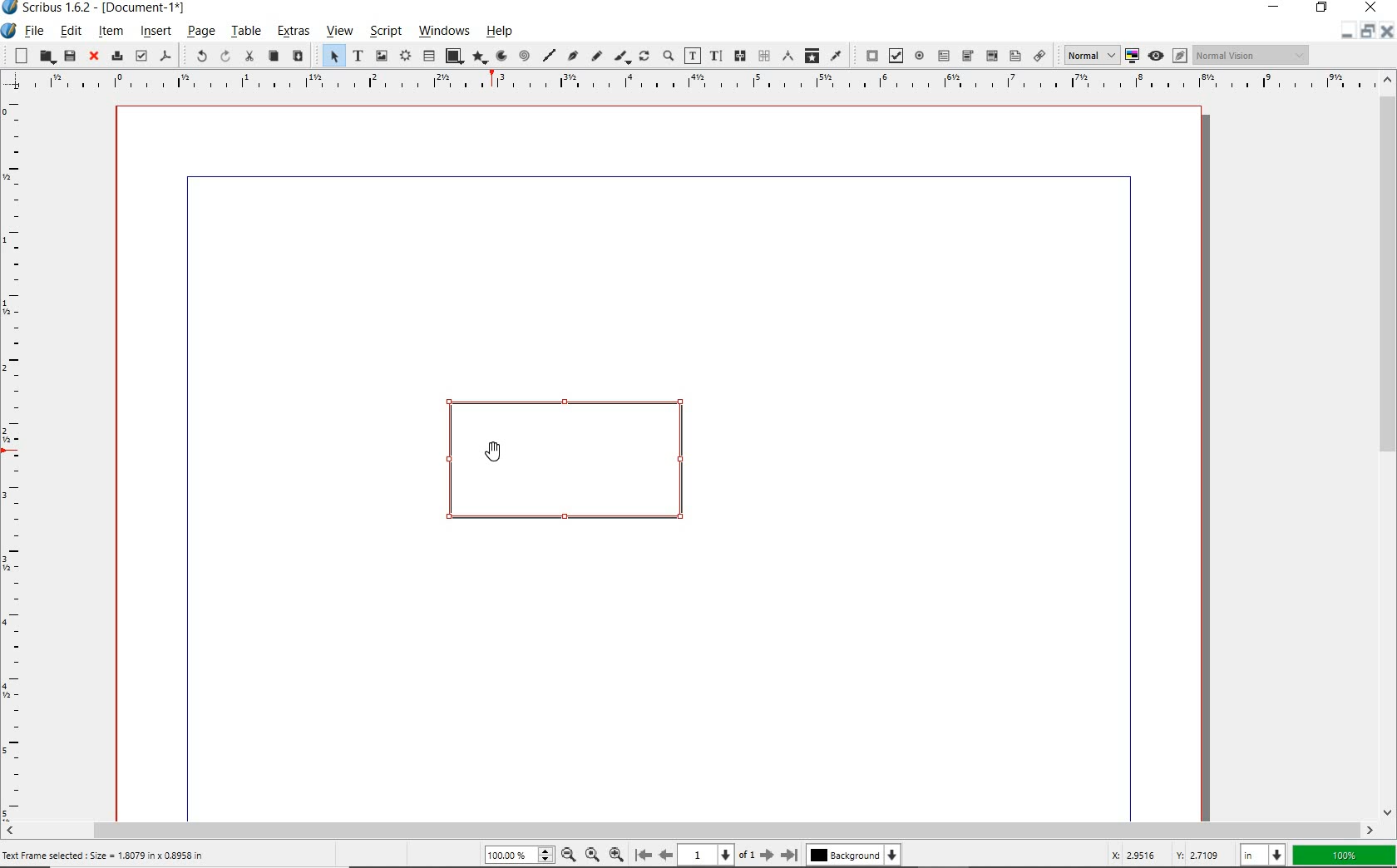  What do you see at coordinates (502, 56) in the screenshot?
I see `arc` at bounding box center [502, 56].